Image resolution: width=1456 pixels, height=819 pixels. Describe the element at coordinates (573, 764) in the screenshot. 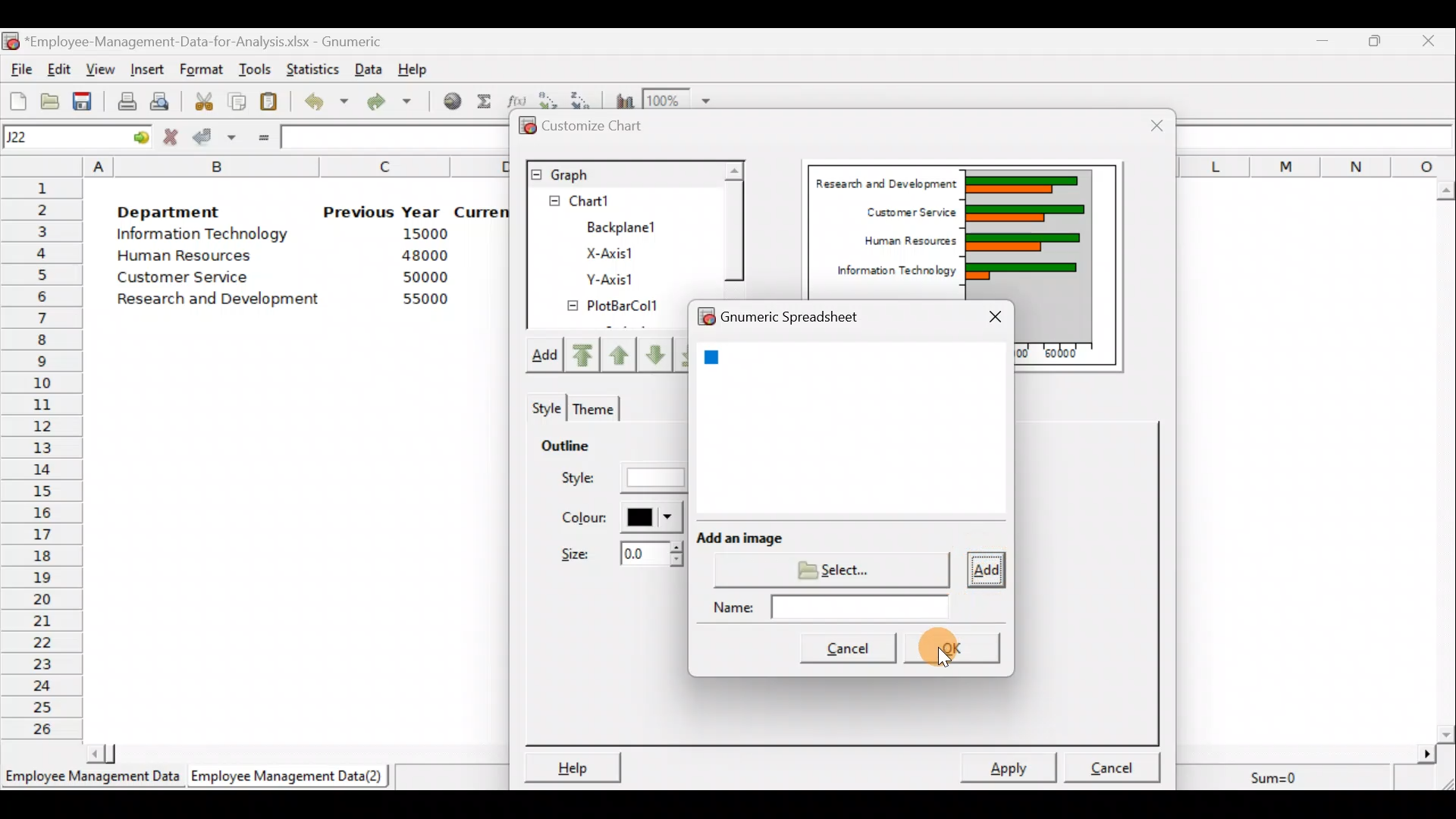

I see `Help` at that location.